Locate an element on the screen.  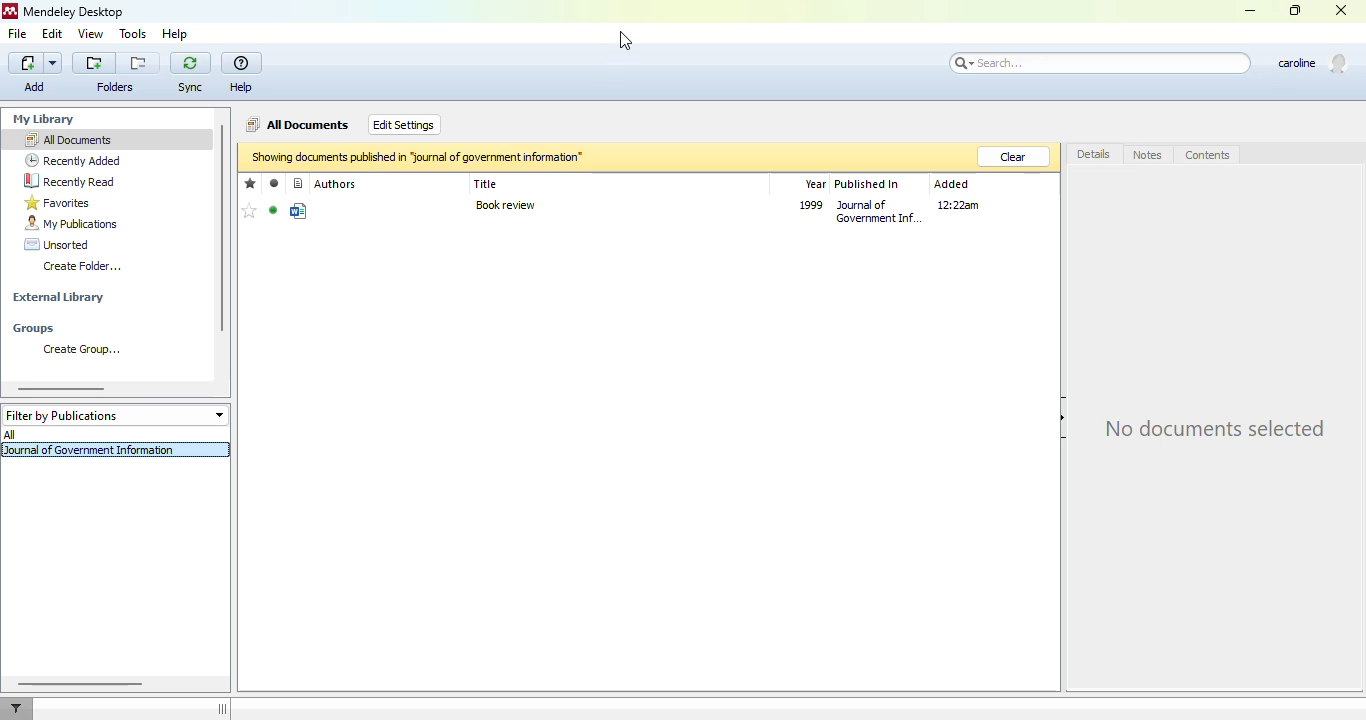
logo is located at coordinates (10, 11).